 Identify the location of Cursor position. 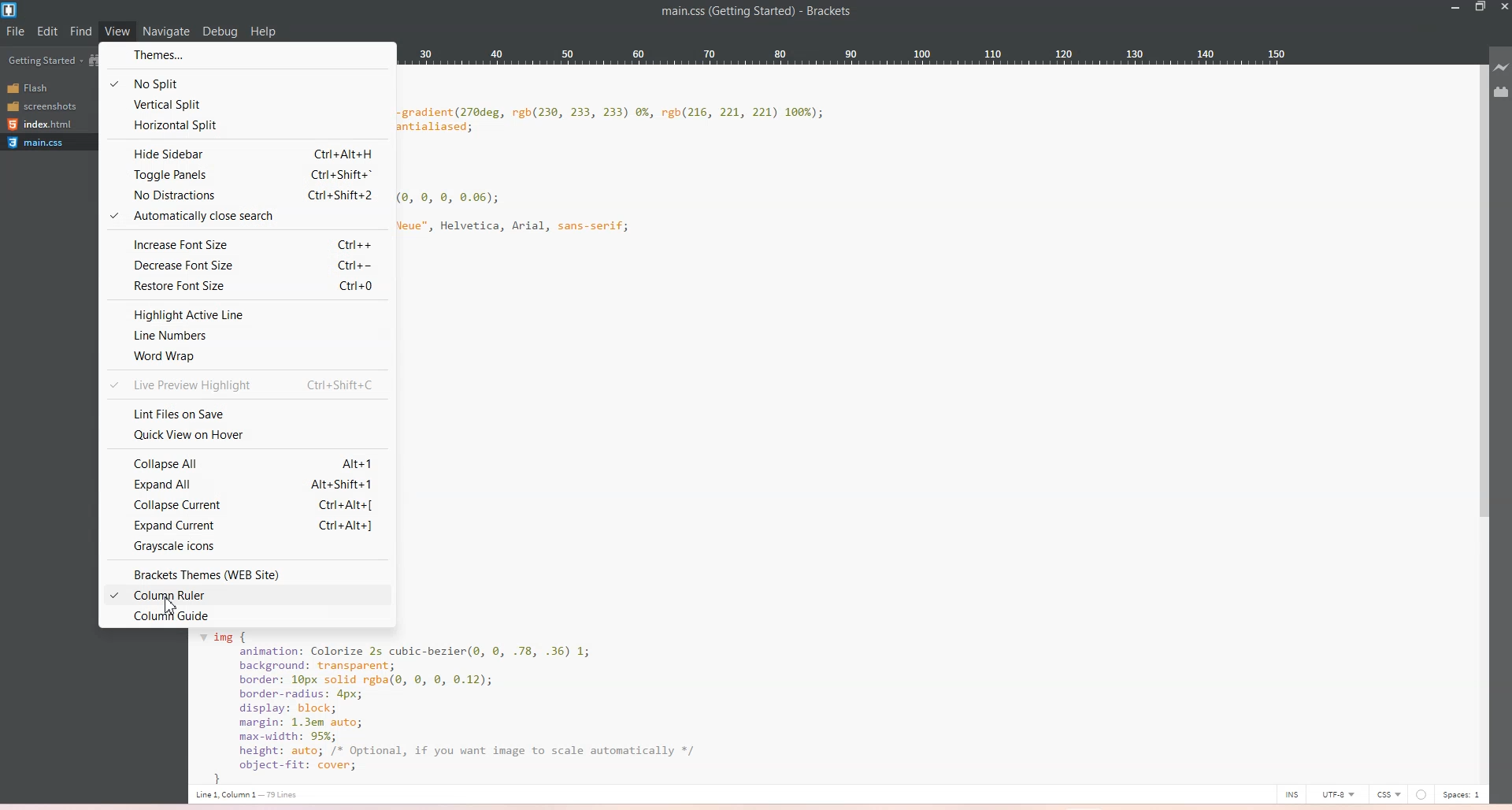
(252, 796).